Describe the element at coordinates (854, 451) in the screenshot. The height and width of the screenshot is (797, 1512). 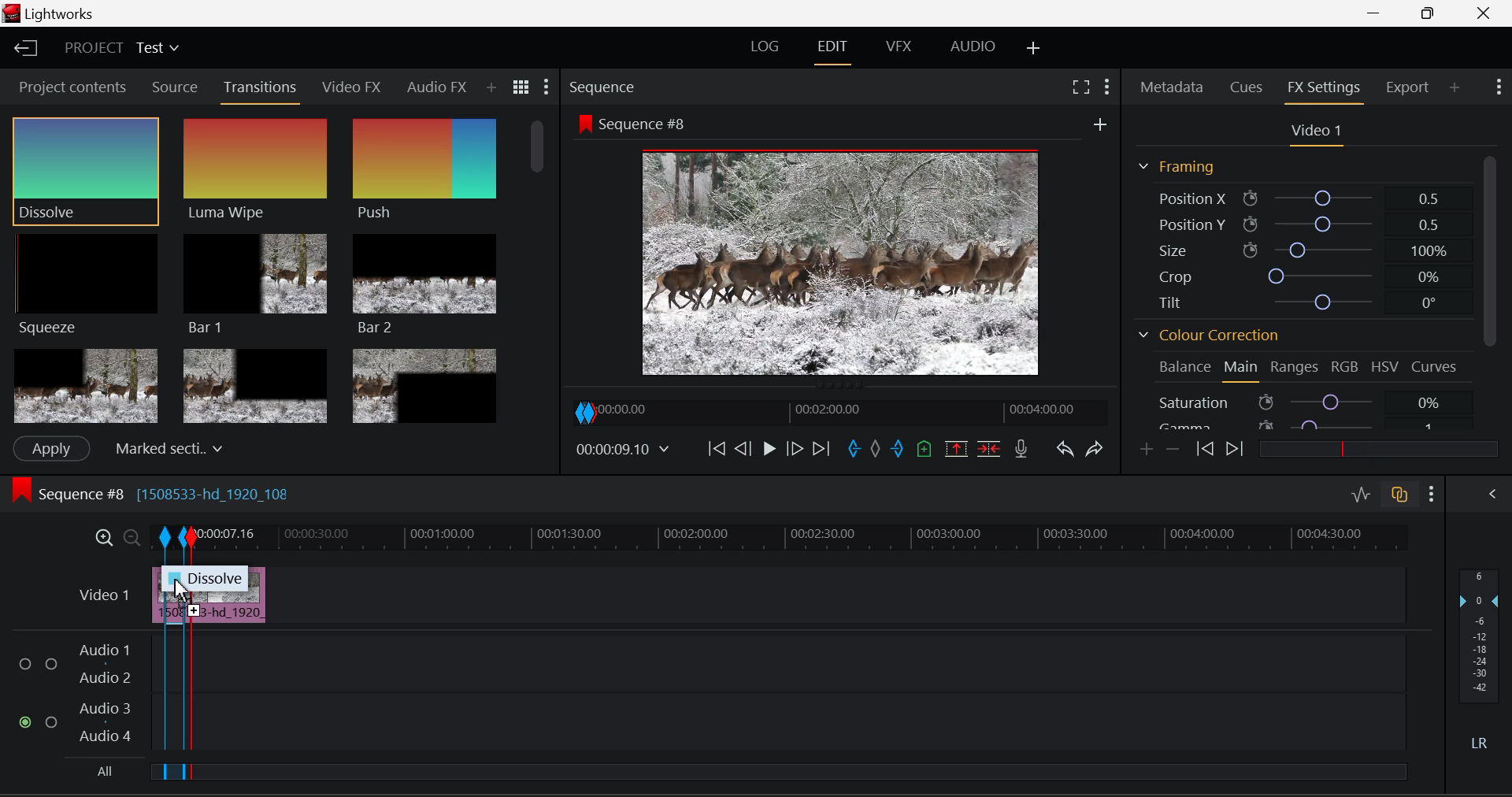
I see `Mark In Point` at that location.